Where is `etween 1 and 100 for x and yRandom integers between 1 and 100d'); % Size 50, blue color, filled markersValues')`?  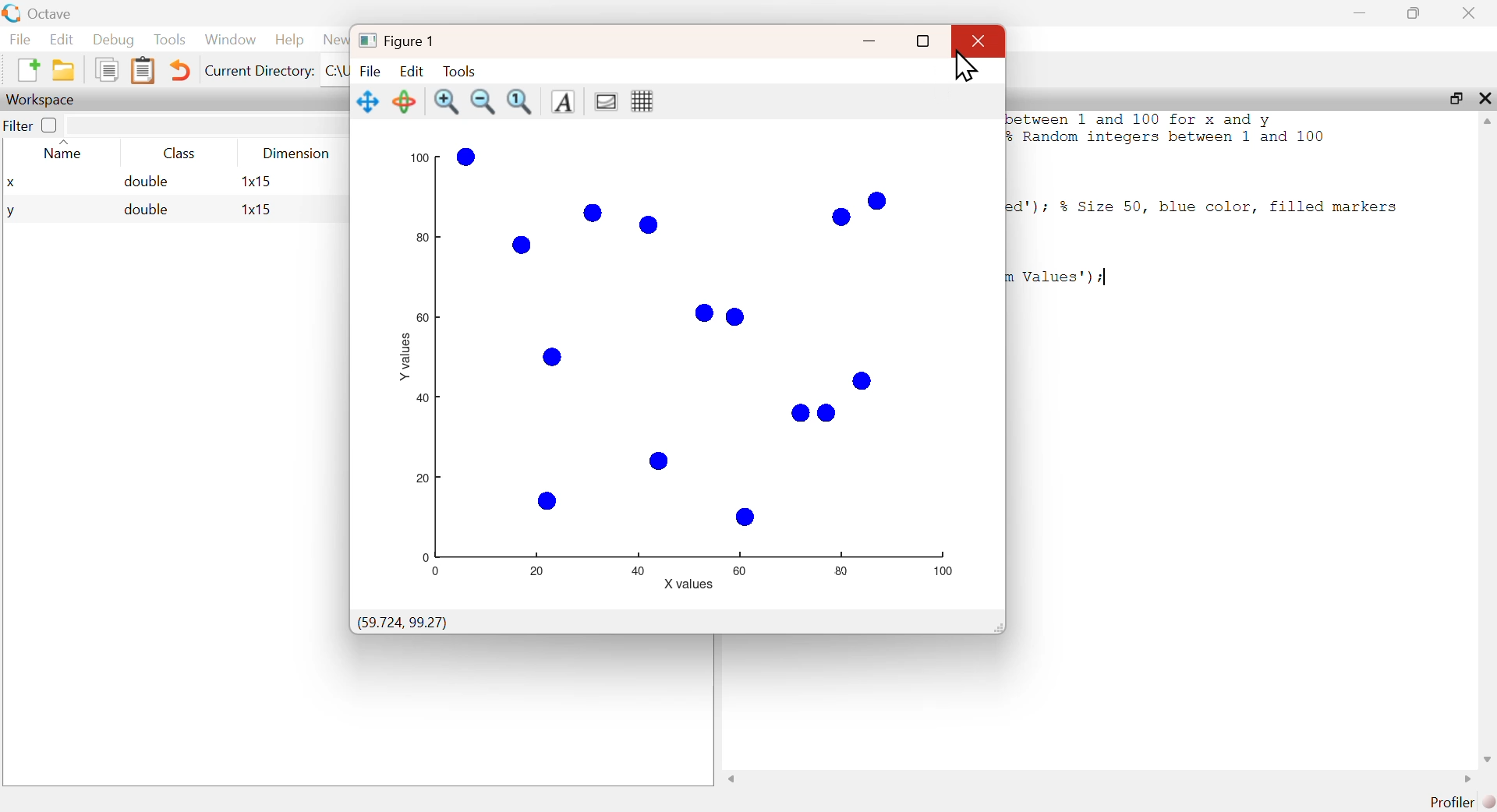
etween 1 and 100 for x and yRandom integers between 1 and 100d'); % Size 50, blue color, filled markersValues') is located at coordinates (1208, 199).